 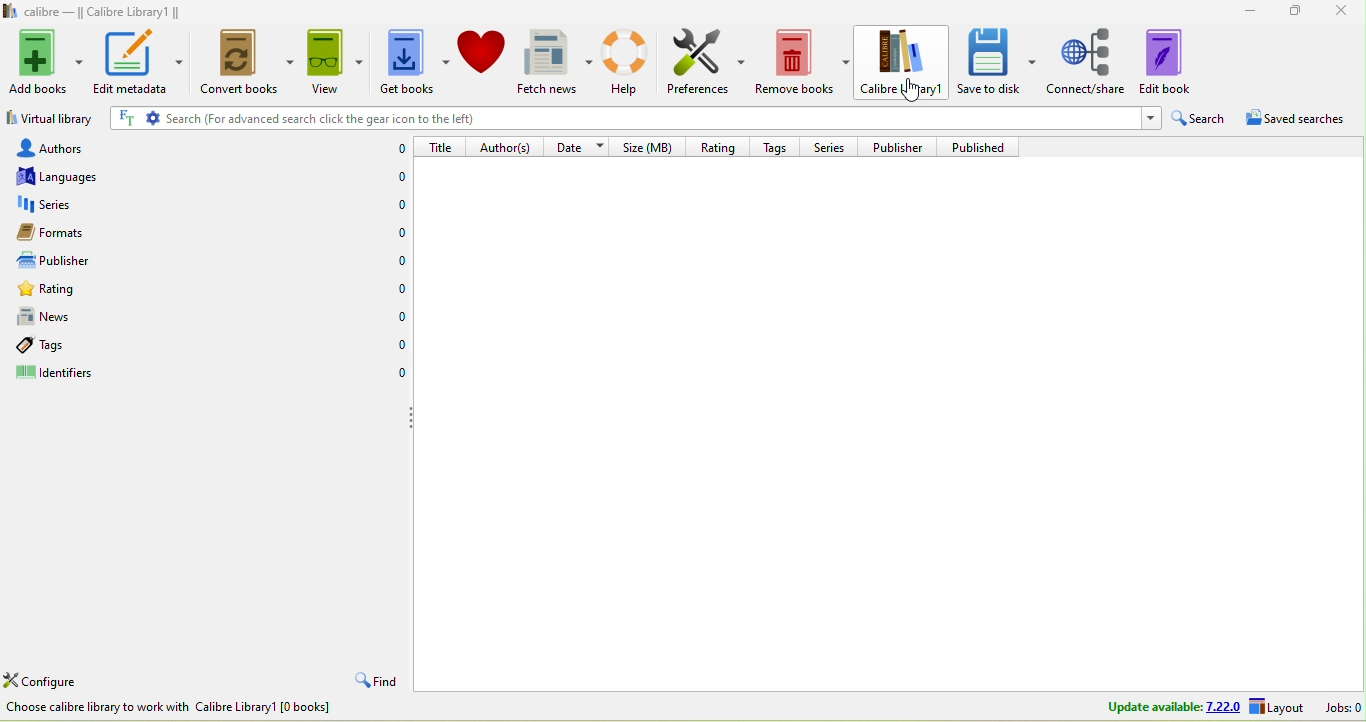 What do you see at coordinates (1343, 707) in the screenshot?
I see `jobs 0` at bounding box center [1343, 707].